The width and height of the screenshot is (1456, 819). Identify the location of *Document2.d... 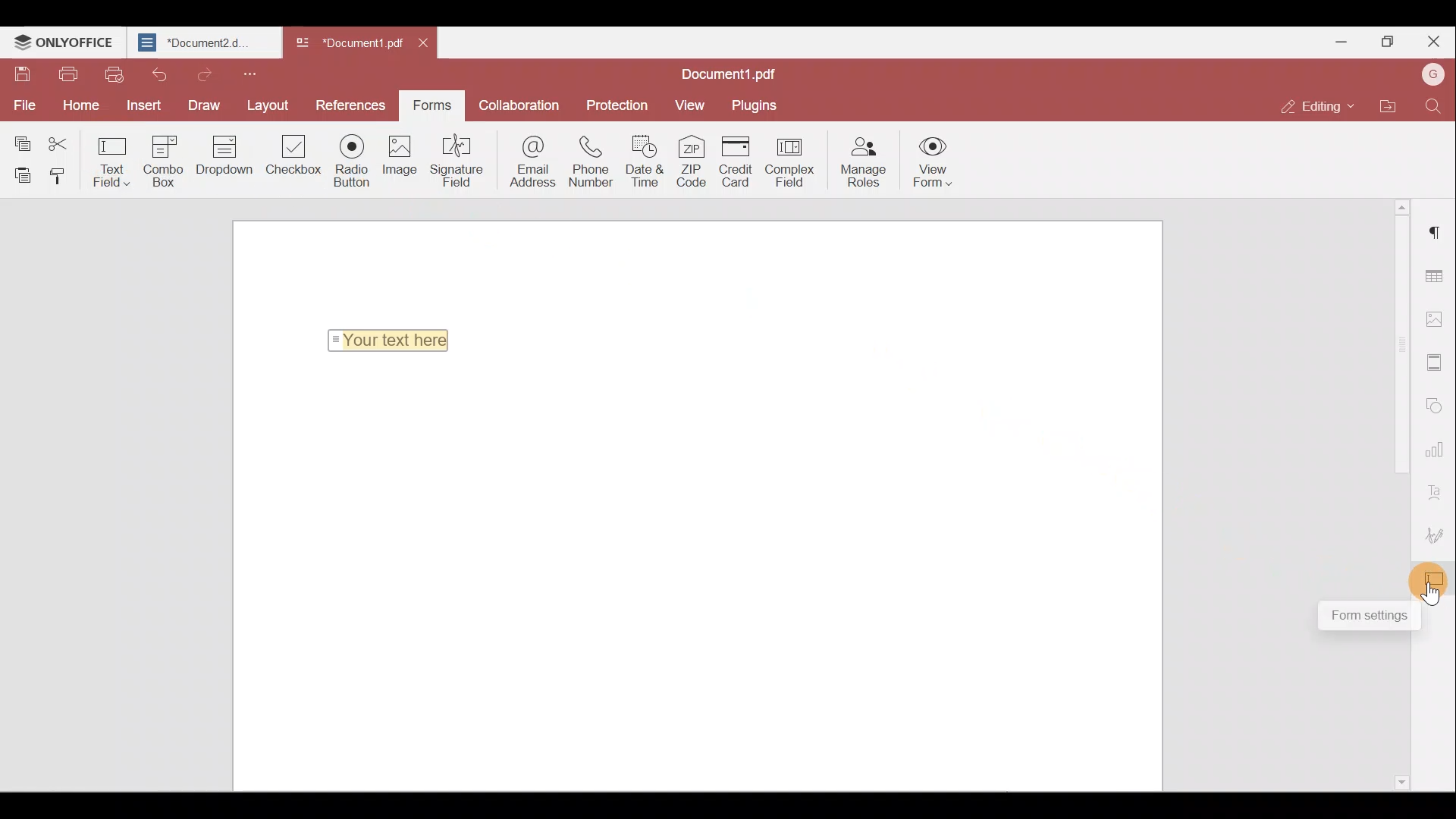
(203, 45).